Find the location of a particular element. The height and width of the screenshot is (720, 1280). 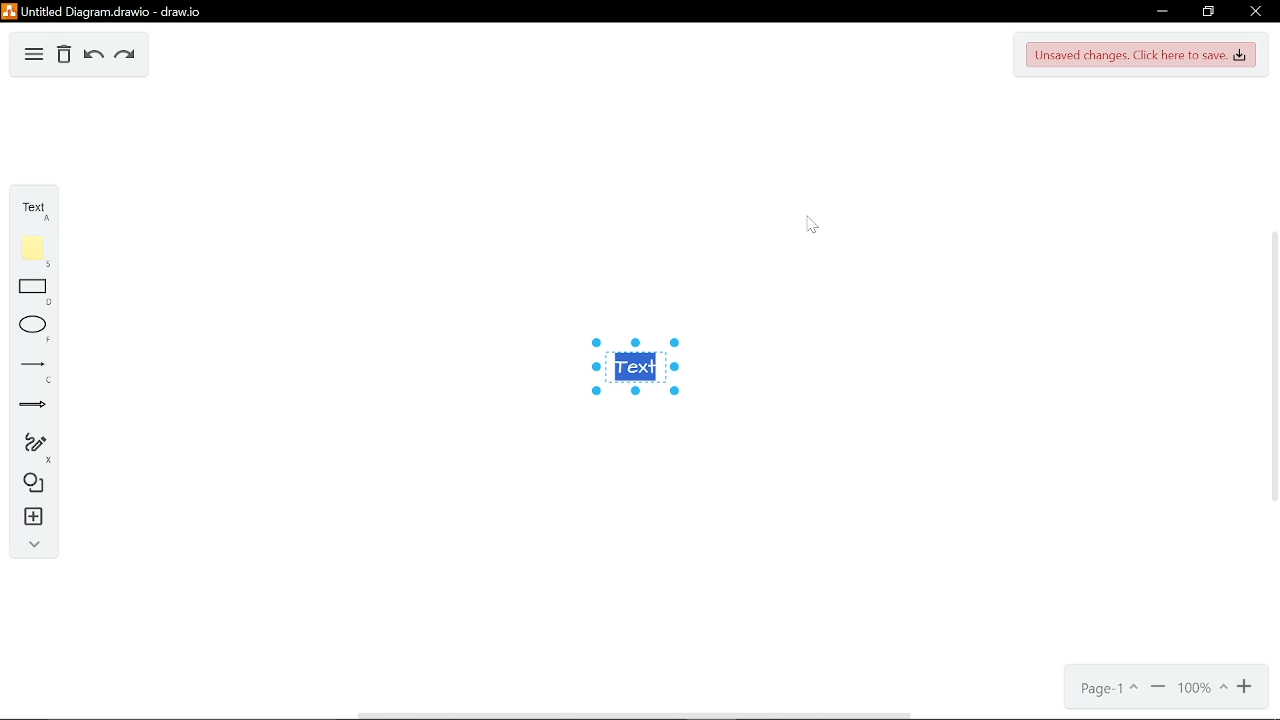

Text added is located at coordinates (644, 369).